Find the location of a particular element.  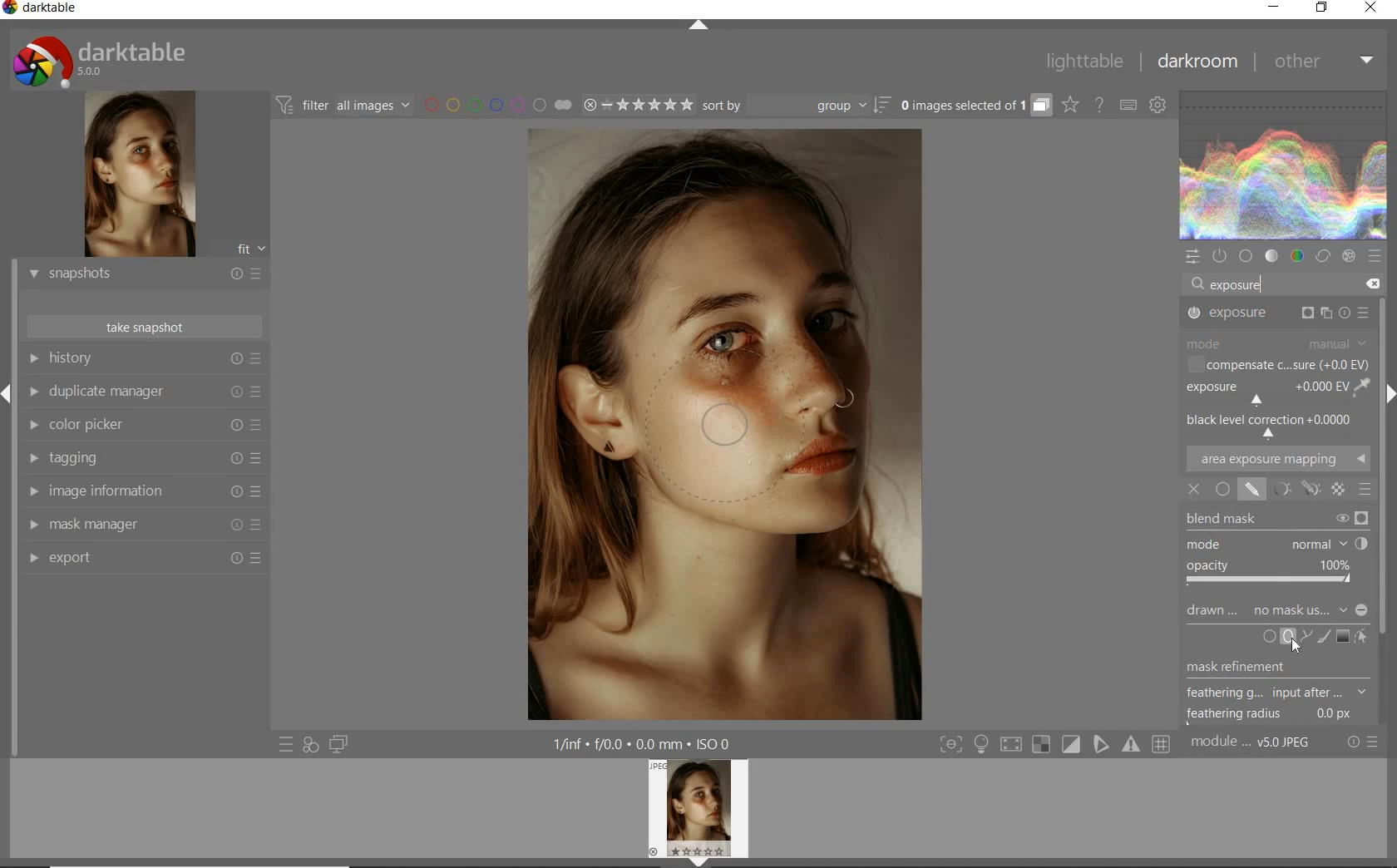

DRAWN MASK is located at coordinates (1277, 610).